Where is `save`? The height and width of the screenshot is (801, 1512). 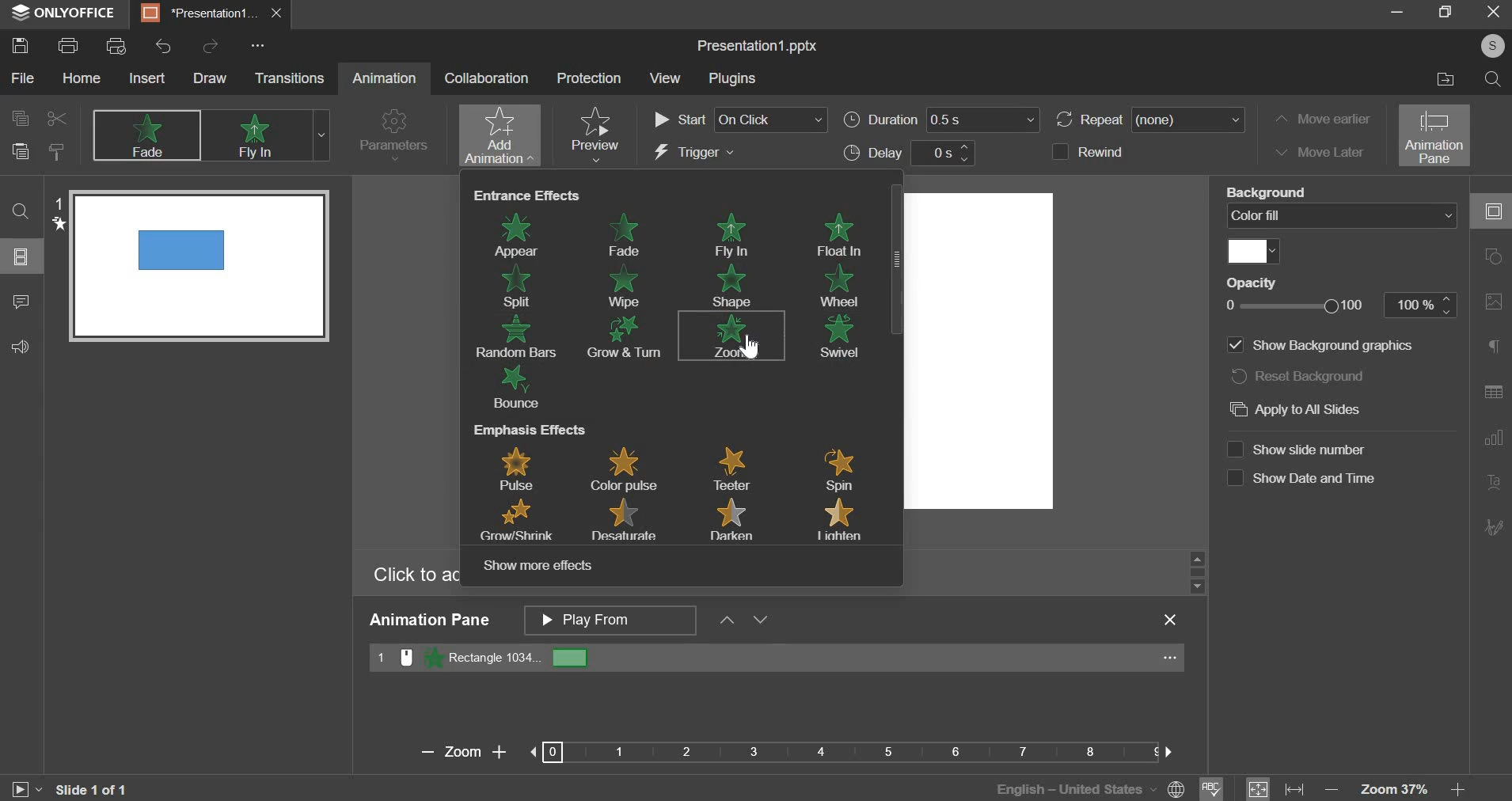 save is located at coordinates (22, 45).